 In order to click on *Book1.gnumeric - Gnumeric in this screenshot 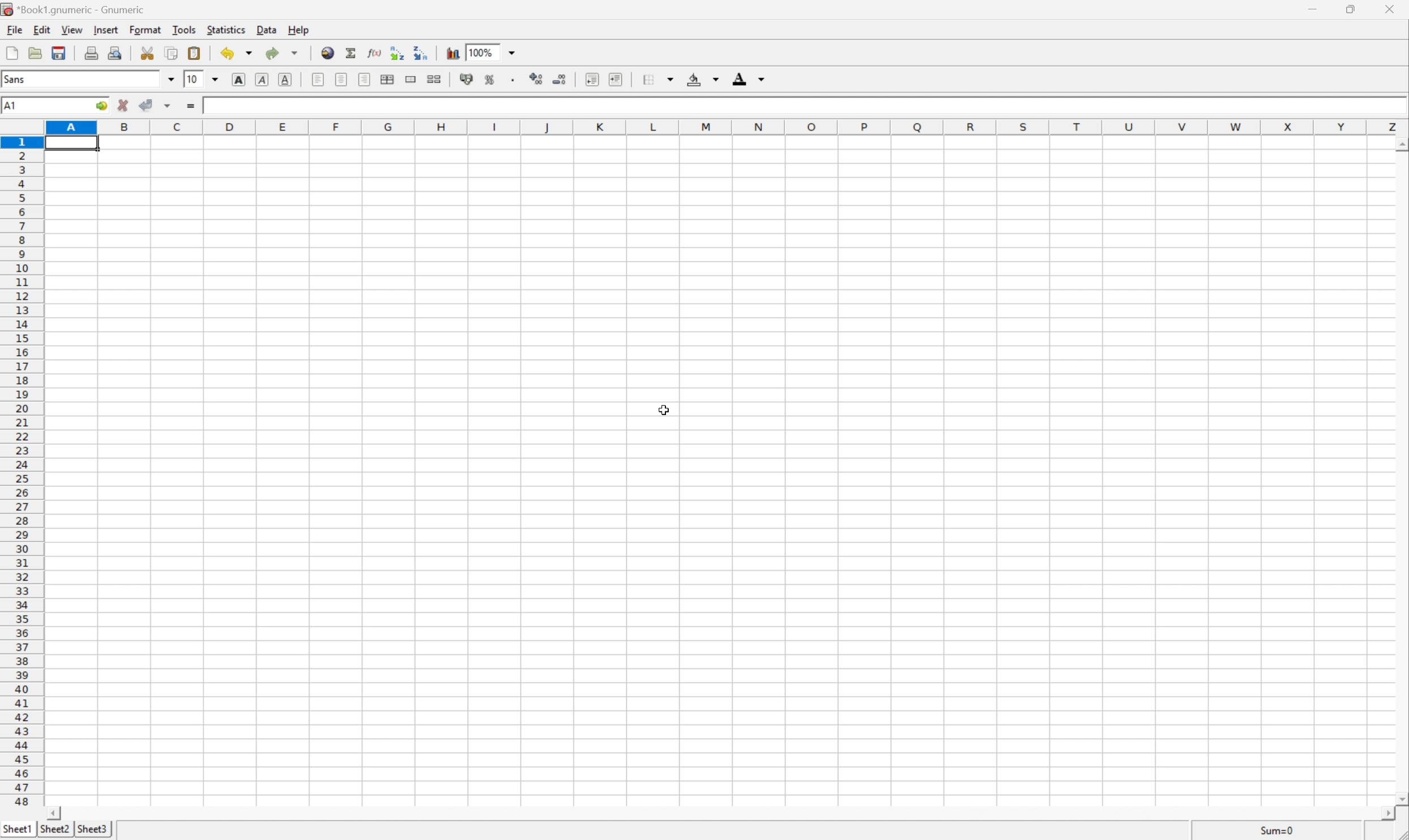, I will do `click(75, 10)`.